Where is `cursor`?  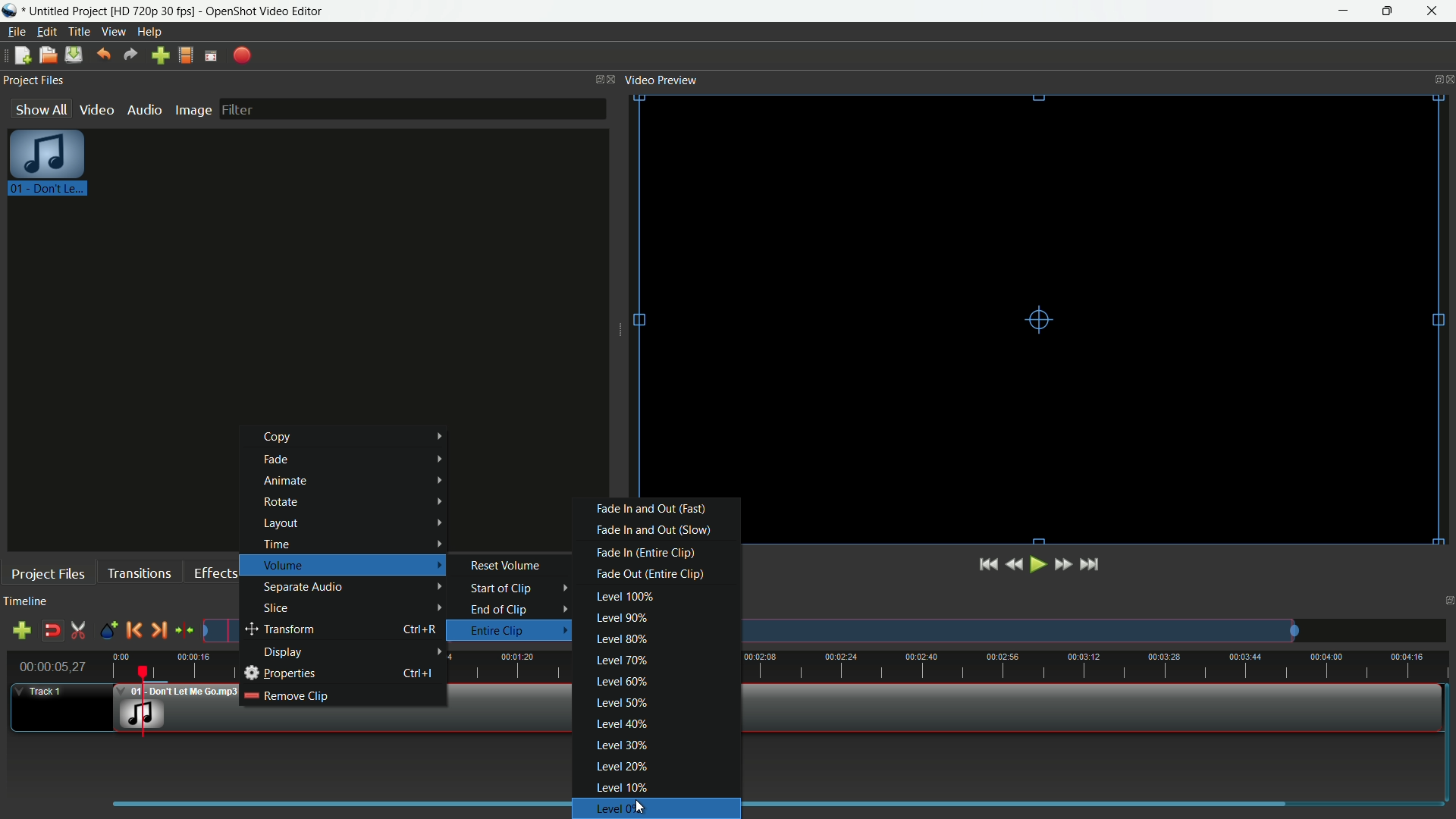 cursor is located at coordinates (641, 806).